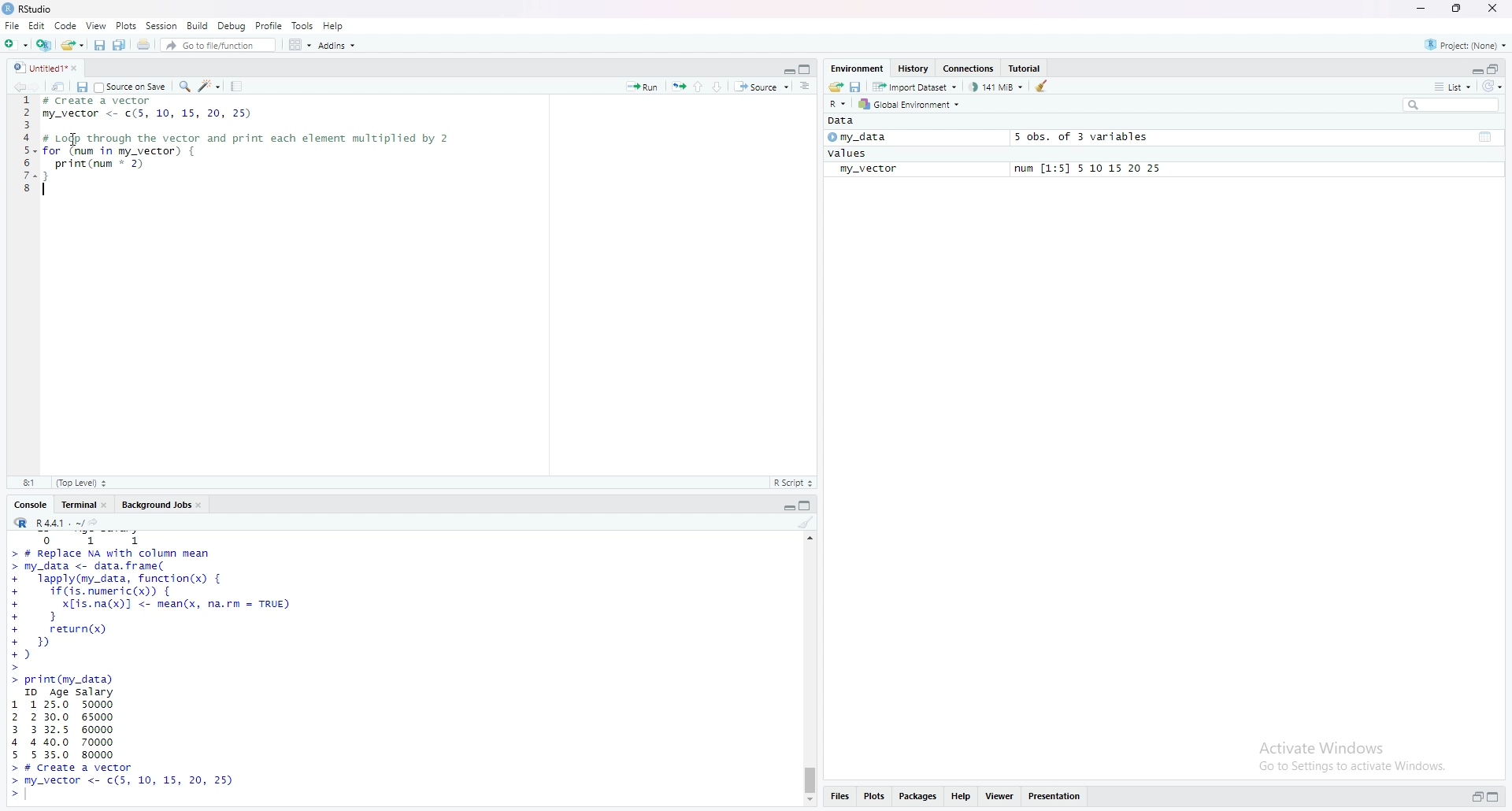 The width and height of the screenshot is (1512, 811). Describe the element at coordinates (857, 87) in the screenshot. I see `save workspace` at that location.